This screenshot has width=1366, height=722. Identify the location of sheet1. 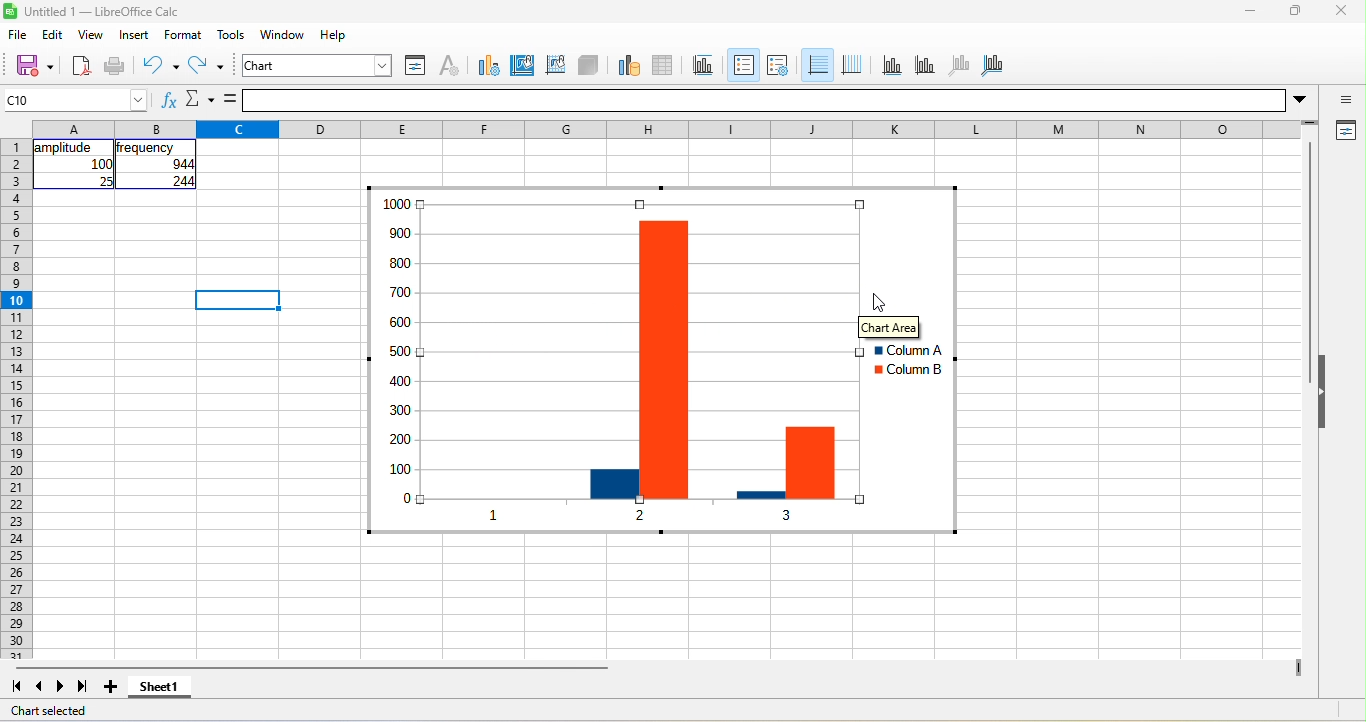
(168, 692).